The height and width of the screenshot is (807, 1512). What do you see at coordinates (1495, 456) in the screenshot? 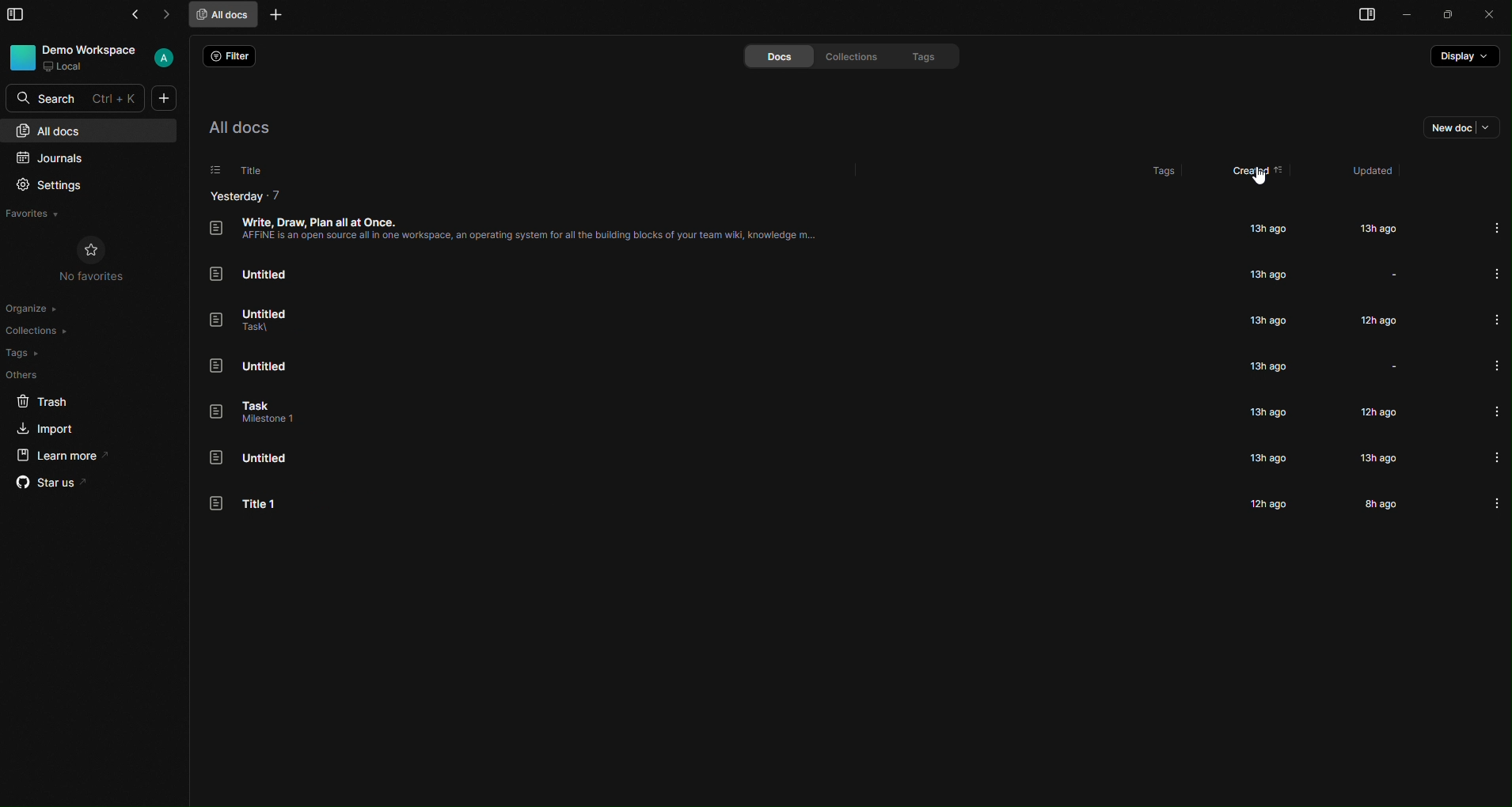
I see `more info` at bounding box center [1495, 456].